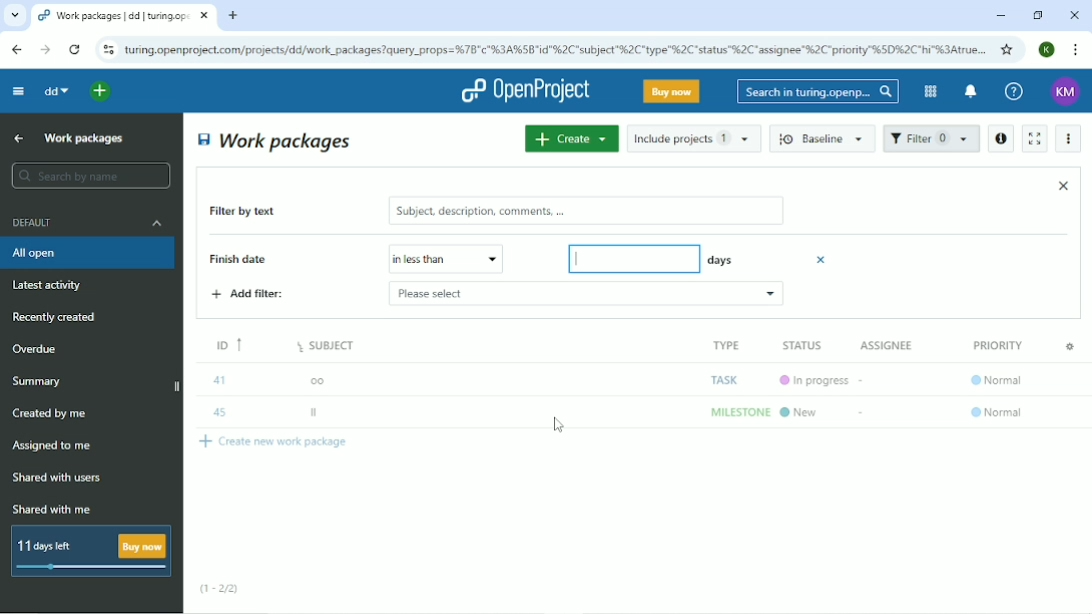 The image size is (1092, 614). I want to click on oo, so click(320, 377).